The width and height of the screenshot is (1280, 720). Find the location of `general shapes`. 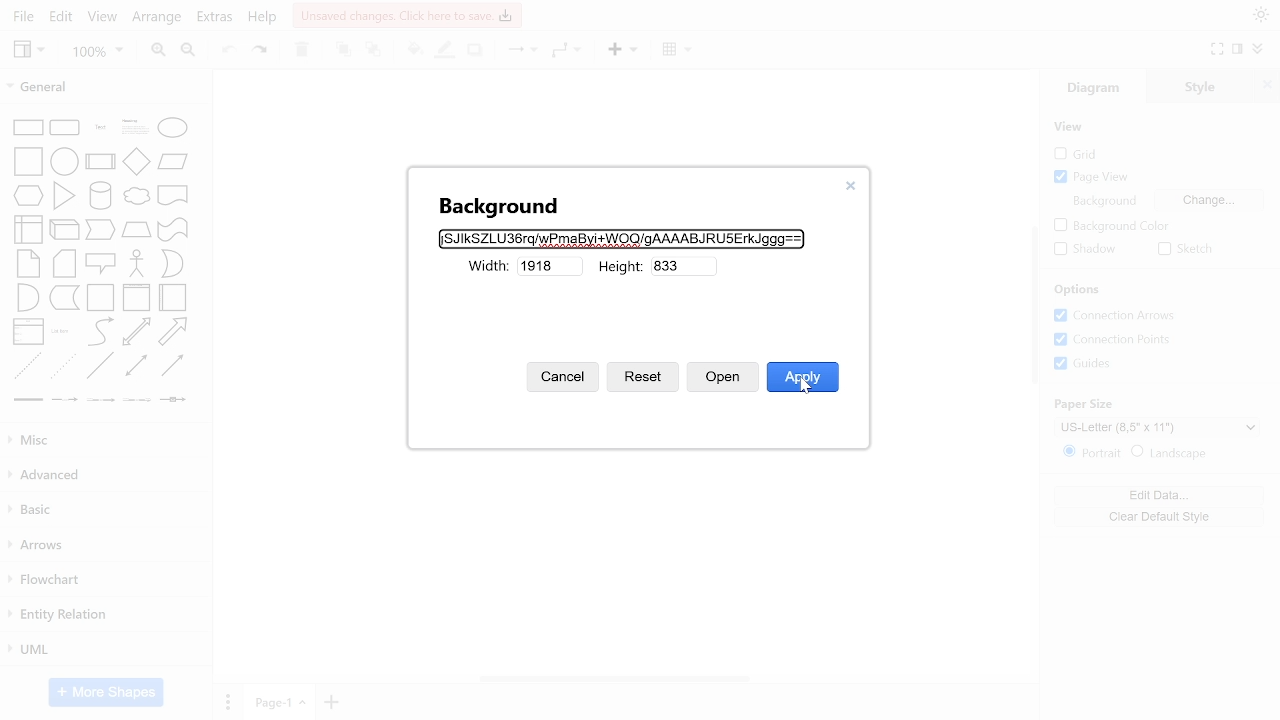

general shapes is located at coordinates (98, 262).